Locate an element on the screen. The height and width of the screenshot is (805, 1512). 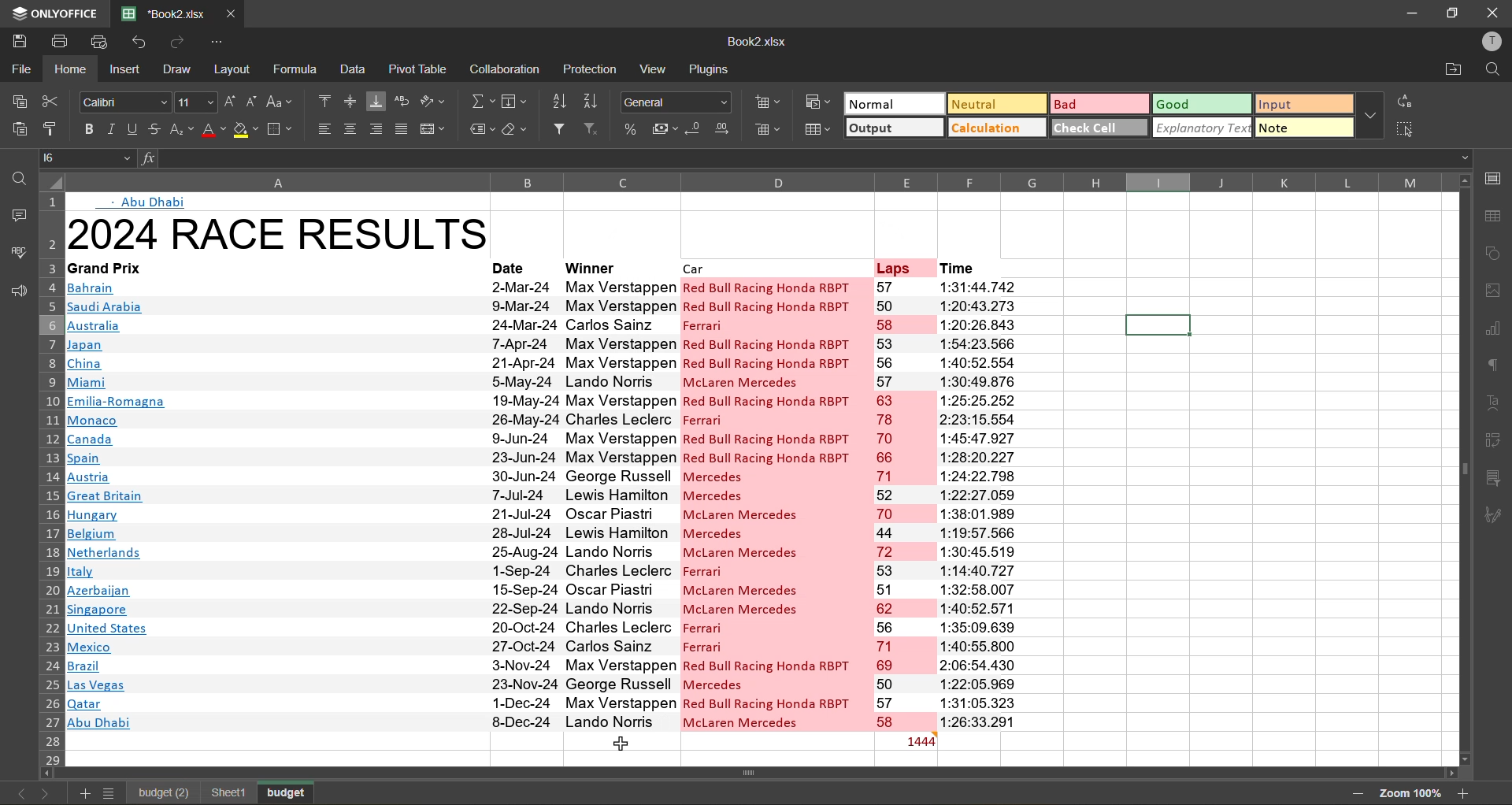
align center is located at coordinates (350, 129).